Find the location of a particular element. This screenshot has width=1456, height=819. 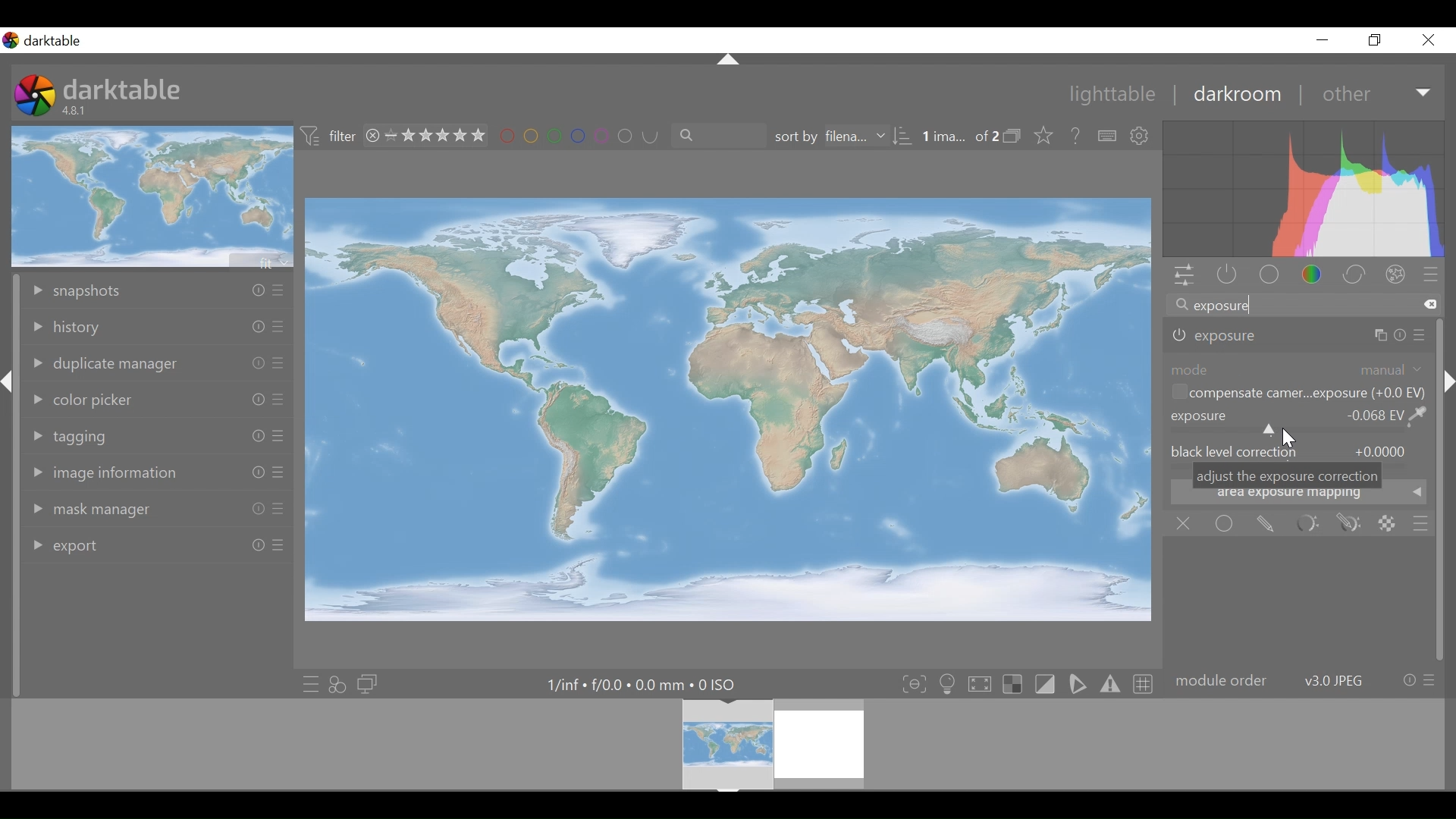

search bar is located at coordinates (1303, 303).